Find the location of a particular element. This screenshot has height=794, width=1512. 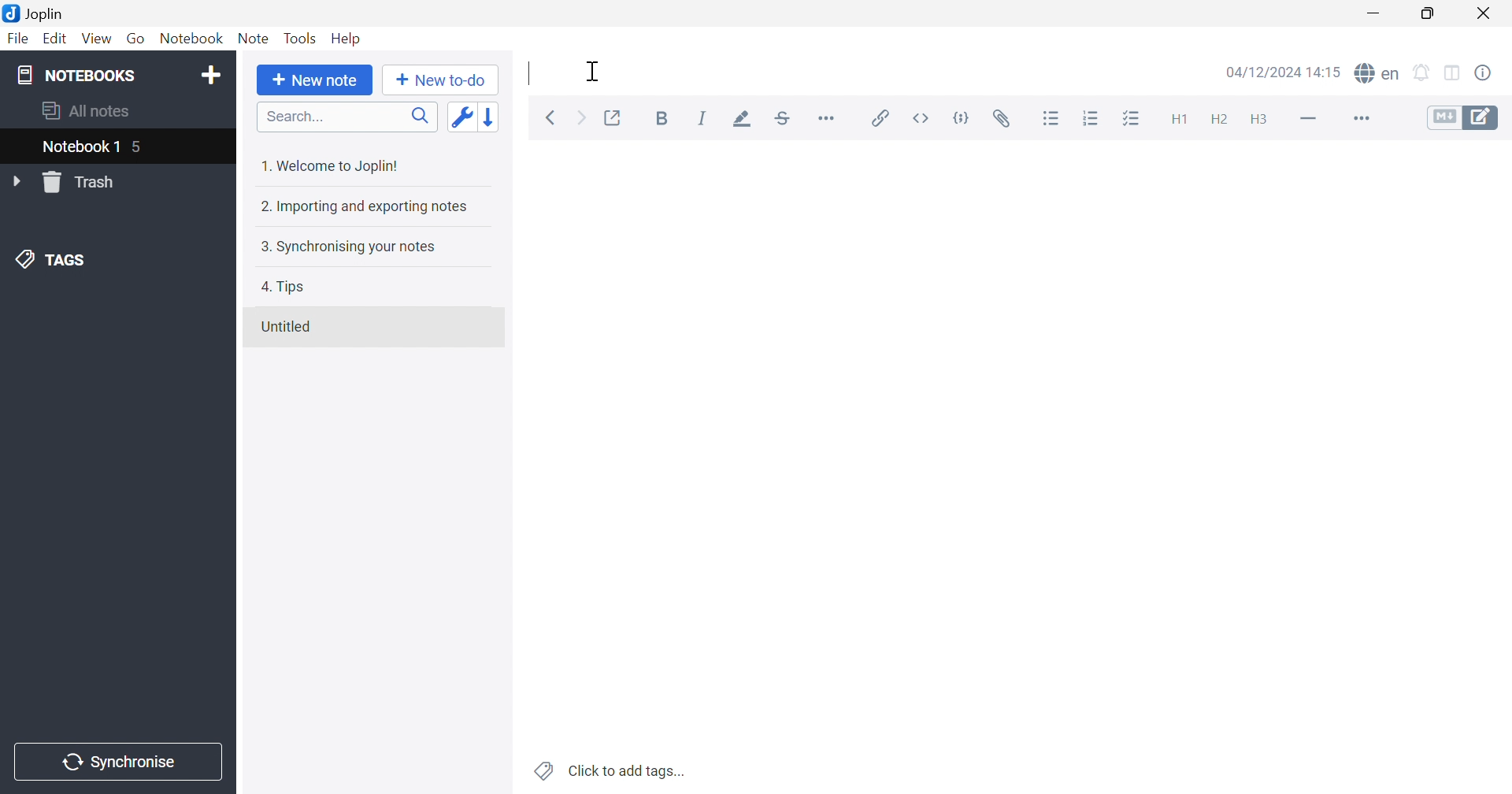

TAGS is located at coordinates (54, 258).